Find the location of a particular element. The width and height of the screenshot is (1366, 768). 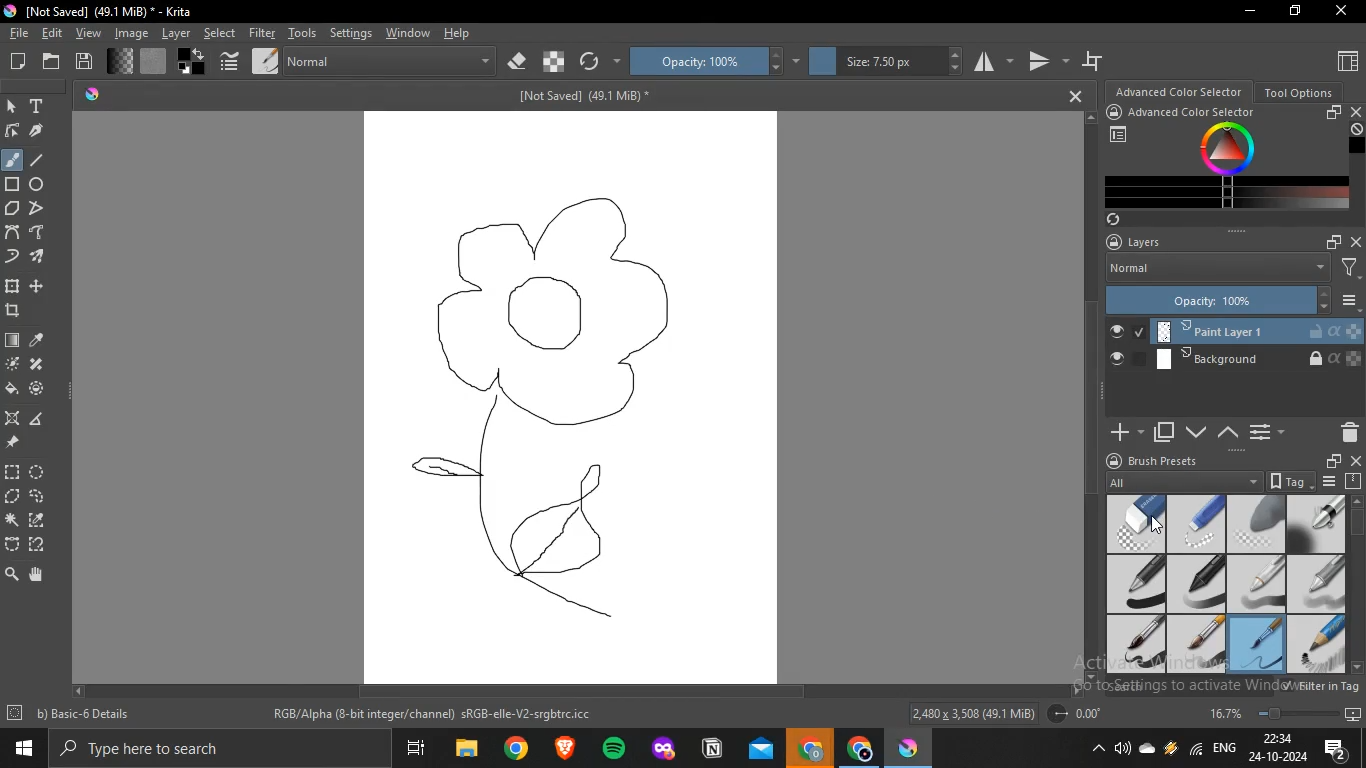

edit brush settings is located at coordinates (231, 60).